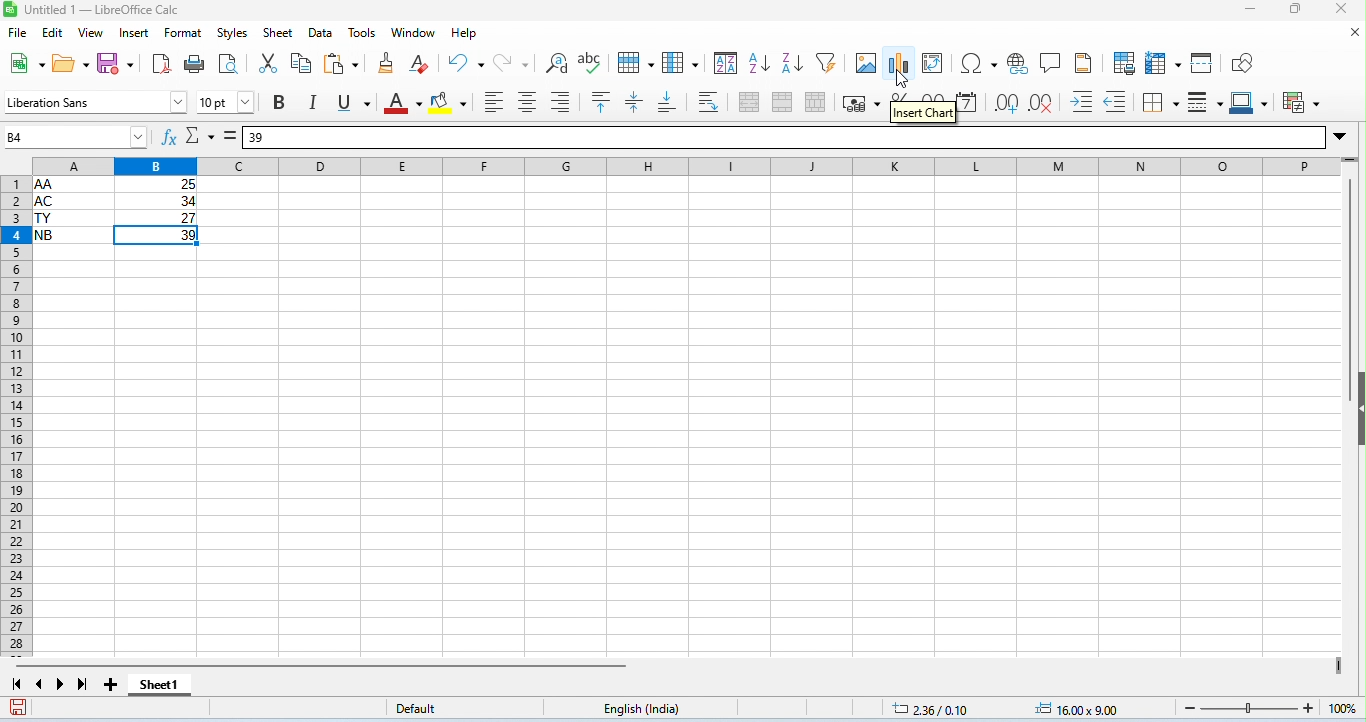 Image resolution: width=1366 pixels, height=722 pixels. Describe the element at coordinates (932, 709) in the screenshot. I see `cursor position` at that location.